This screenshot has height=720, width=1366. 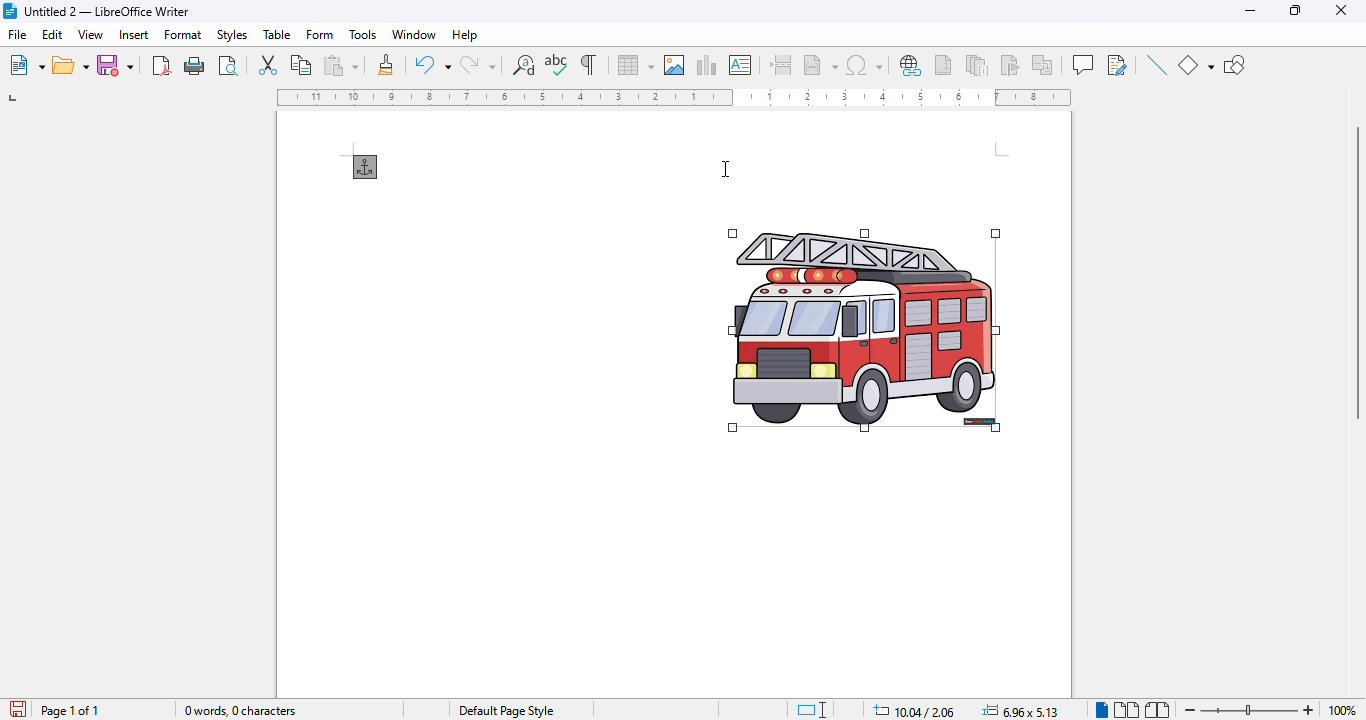 What do you see at coordinates (90, 34) in the screenshot?
I see `view` at bounding box center [90, 34].